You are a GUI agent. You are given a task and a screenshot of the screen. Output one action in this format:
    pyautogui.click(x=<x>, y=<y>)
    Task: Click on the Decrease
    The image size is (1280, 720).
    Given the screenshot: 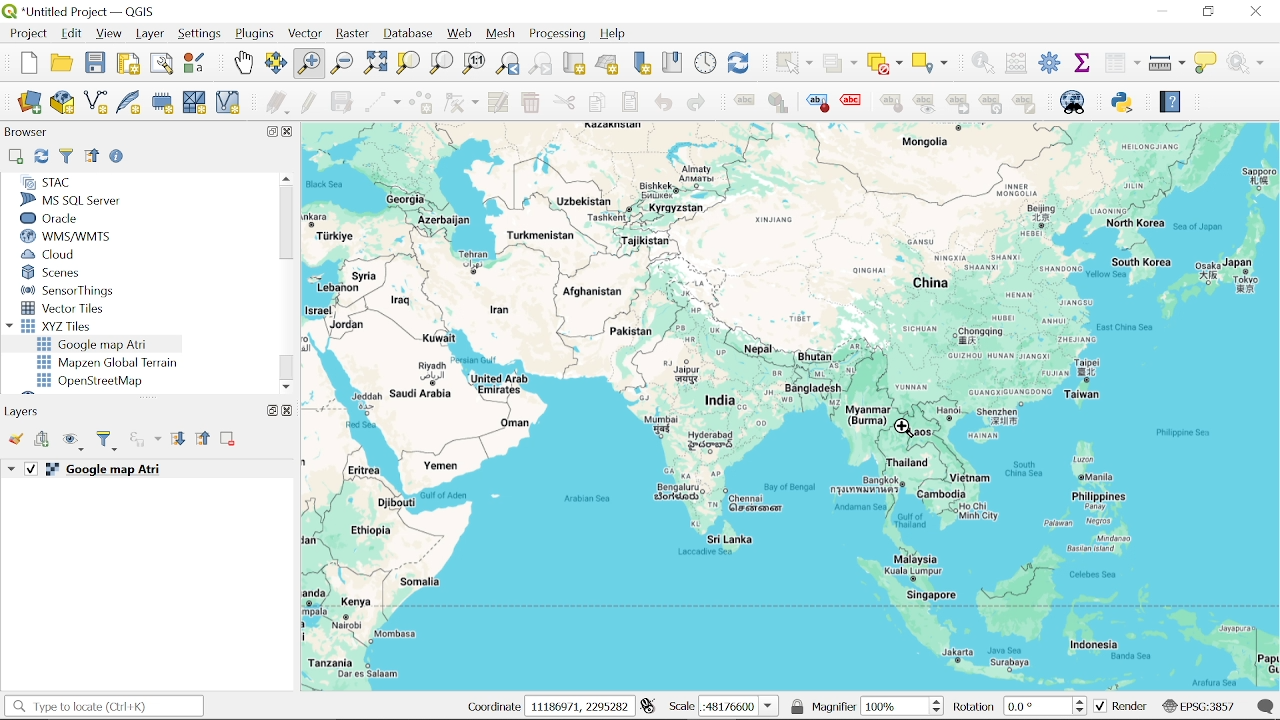 What is the action you would take?
    pyautogui.click(x=1083, y=711)
    